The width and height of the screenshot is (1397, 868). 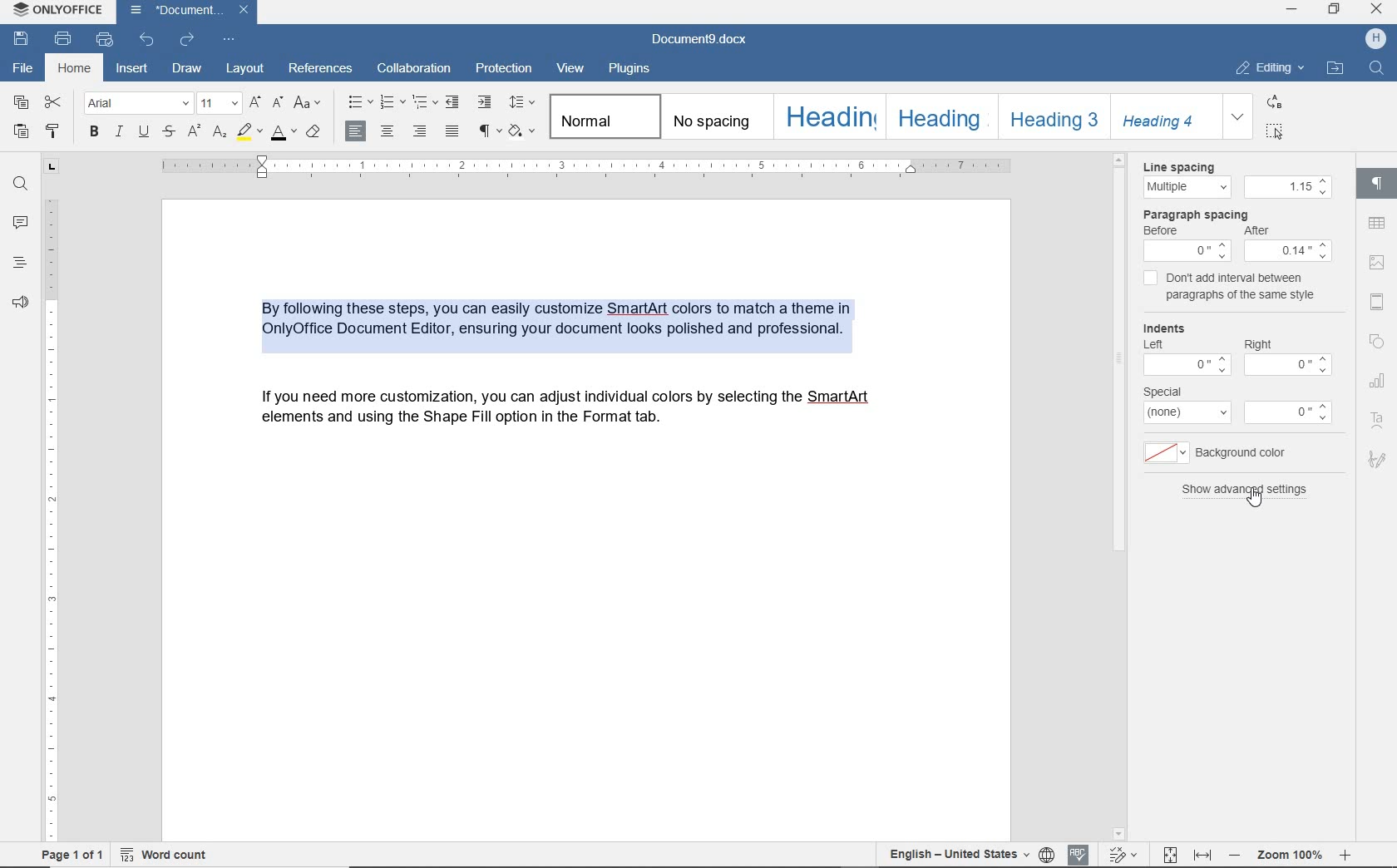 What do you see at coordinates (573, 412) in the screenshot?
I see `If you need more customization, you can adjust individual colors by selecting the SmartArt
elements and using the Shape Fill option in the Format tab.` at bounding box center [573, 412].